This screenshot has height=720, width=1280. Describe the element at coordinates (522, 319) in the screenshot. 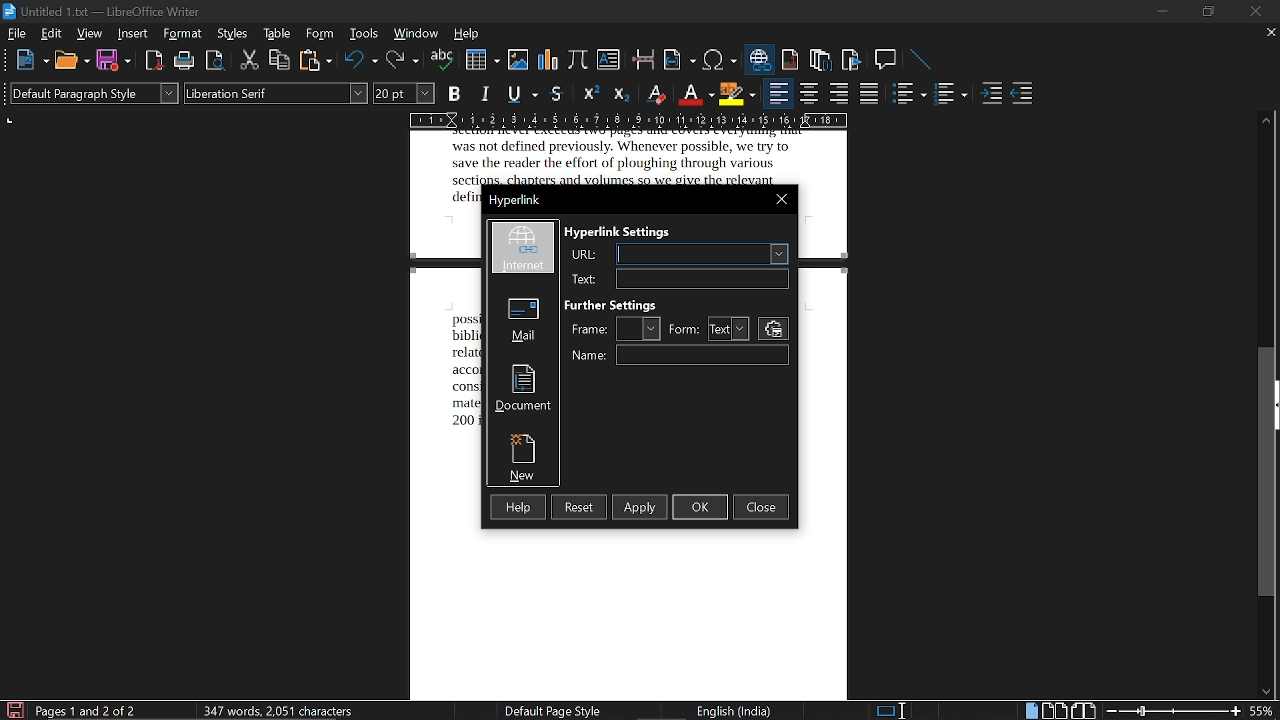

I see `mail` at that location.